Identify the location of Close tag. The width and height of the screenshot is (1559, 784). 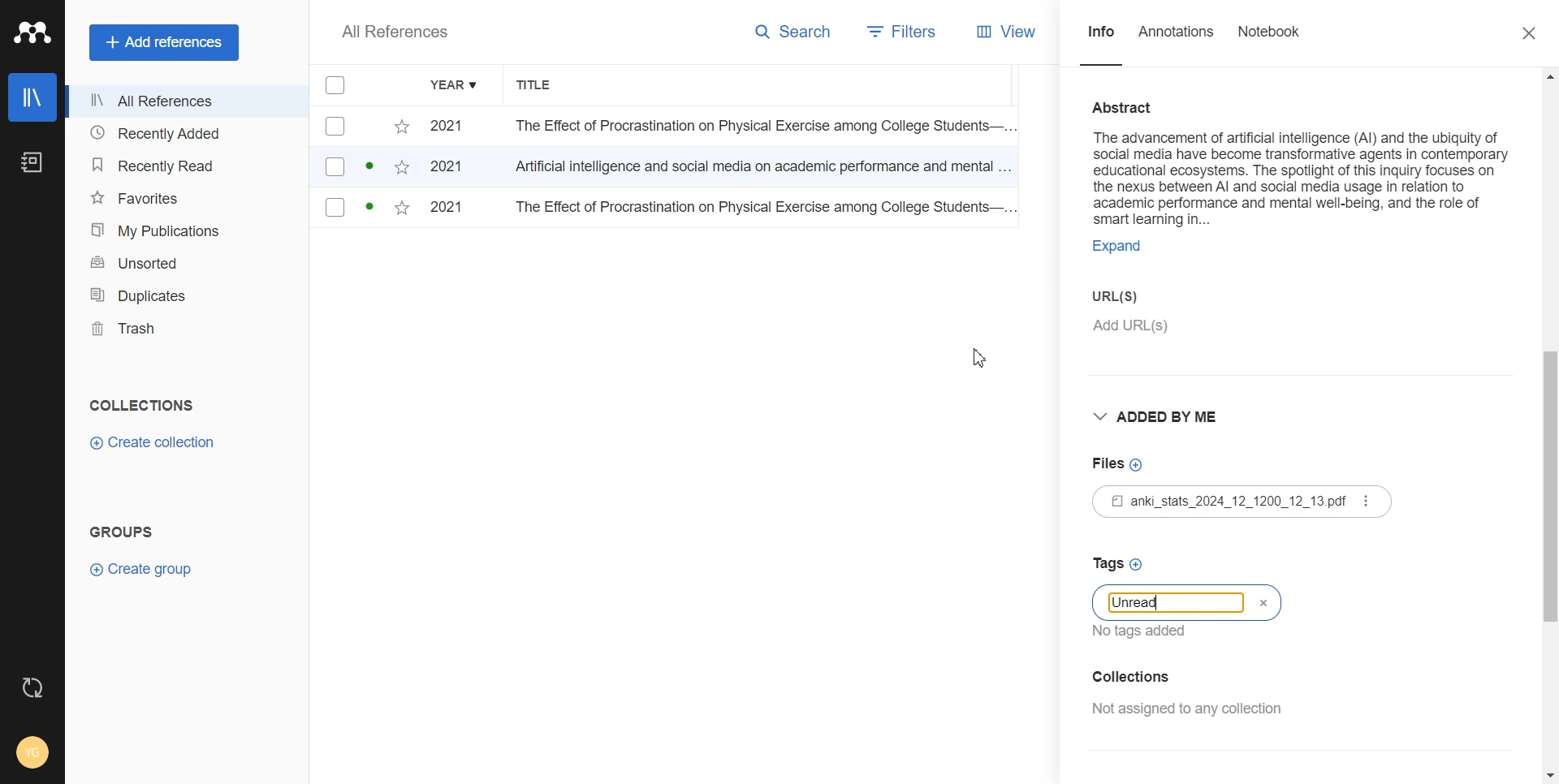
(1261, 603).